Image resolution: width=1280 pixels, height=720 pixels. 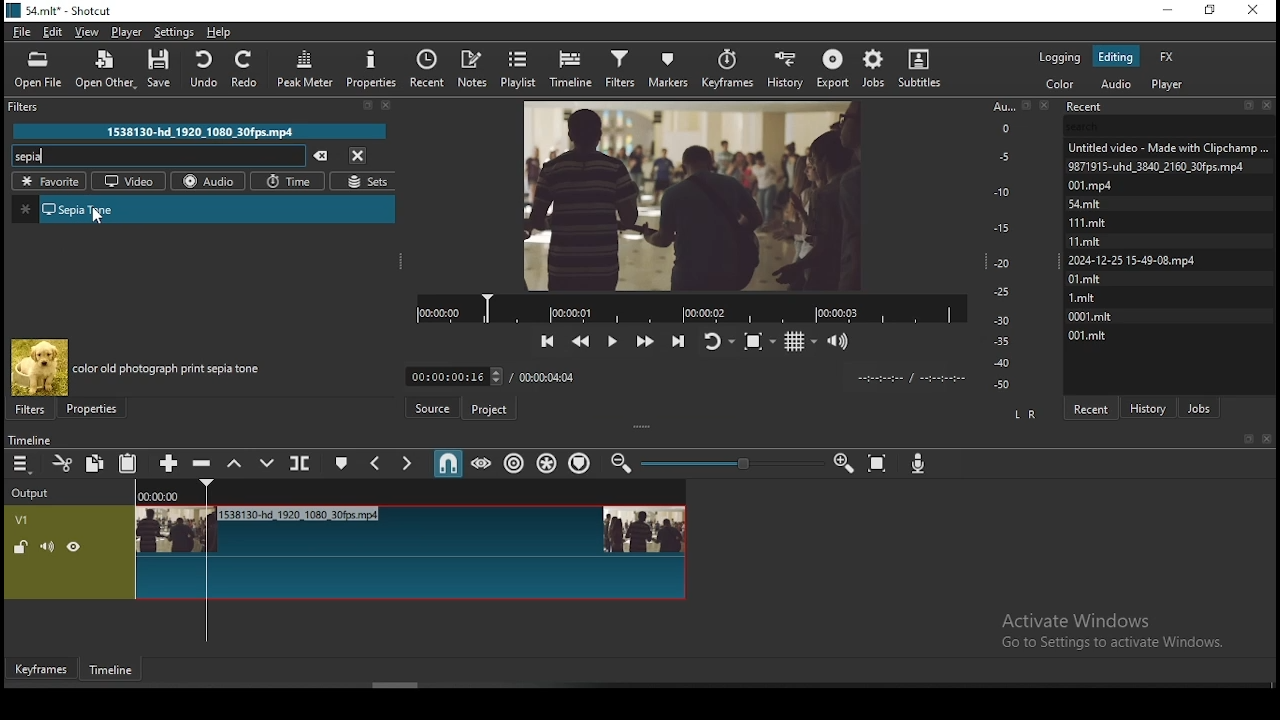 What do you see at coordinates (405, 462) in the screenshot?
I see `next marker` at bounding box center [405, 462].